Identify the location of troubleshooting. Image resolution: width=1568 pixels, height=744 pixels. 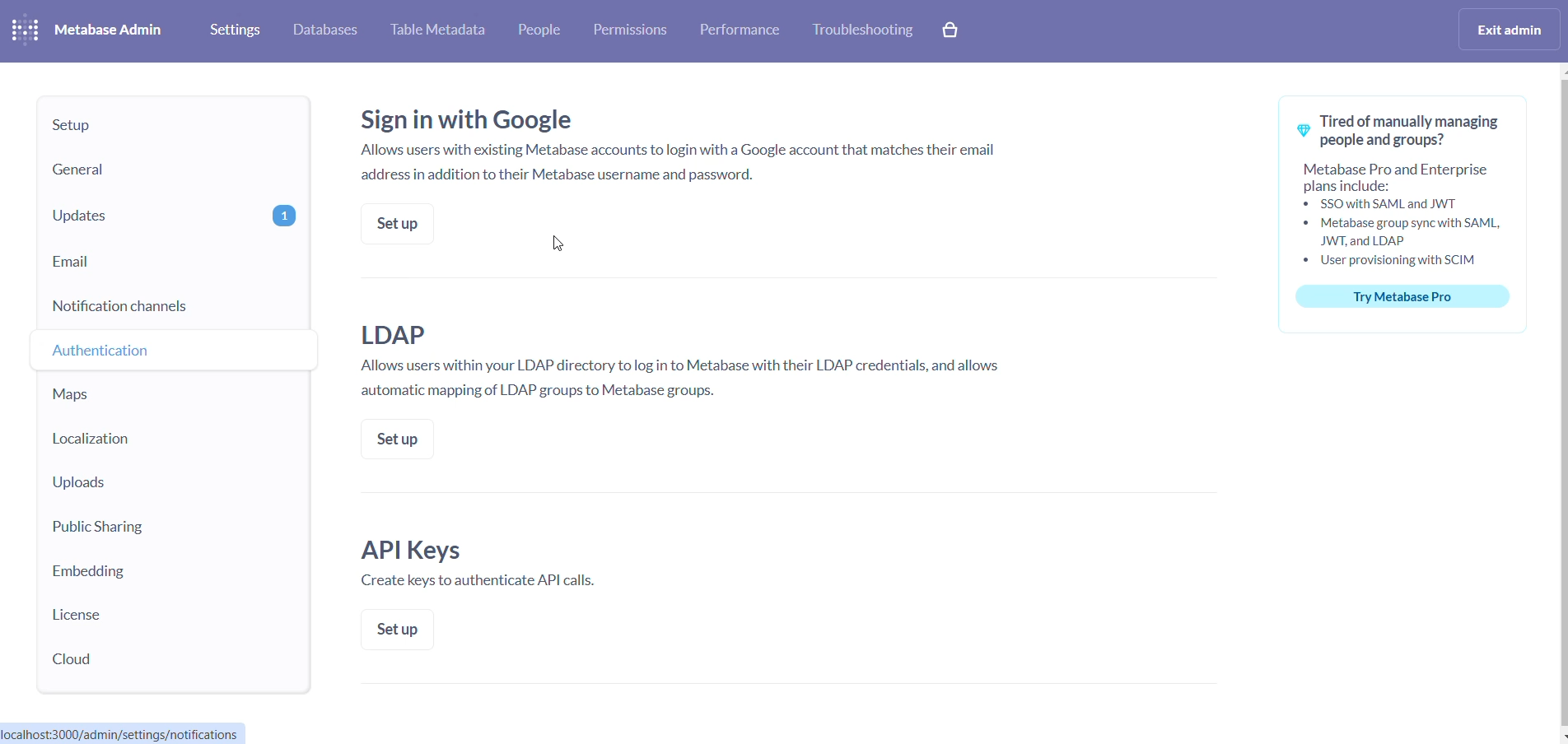
(866, 30).